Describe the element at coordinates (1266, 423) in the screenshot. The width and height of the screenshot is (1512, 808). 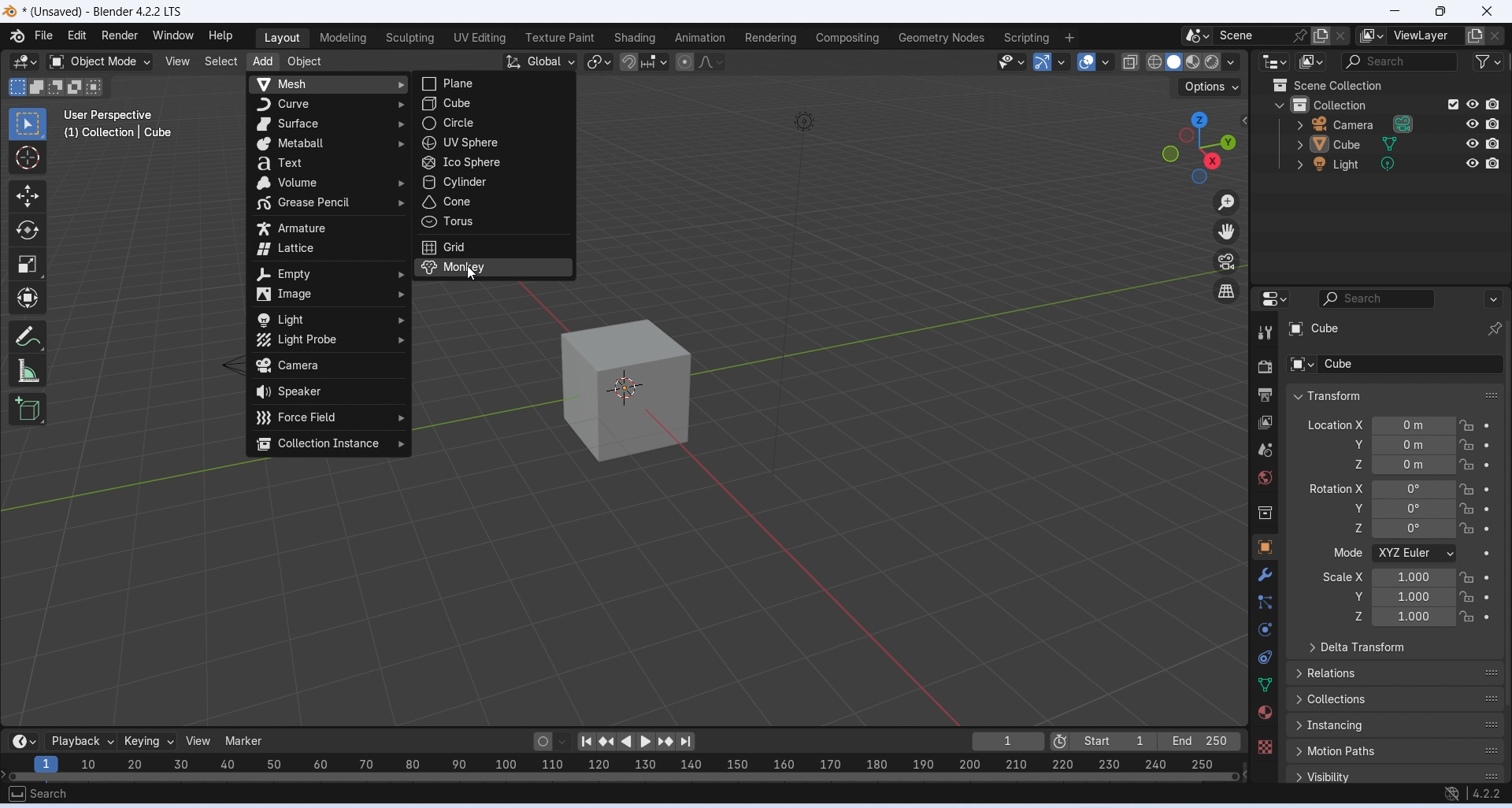
I see `view layer` at that location.